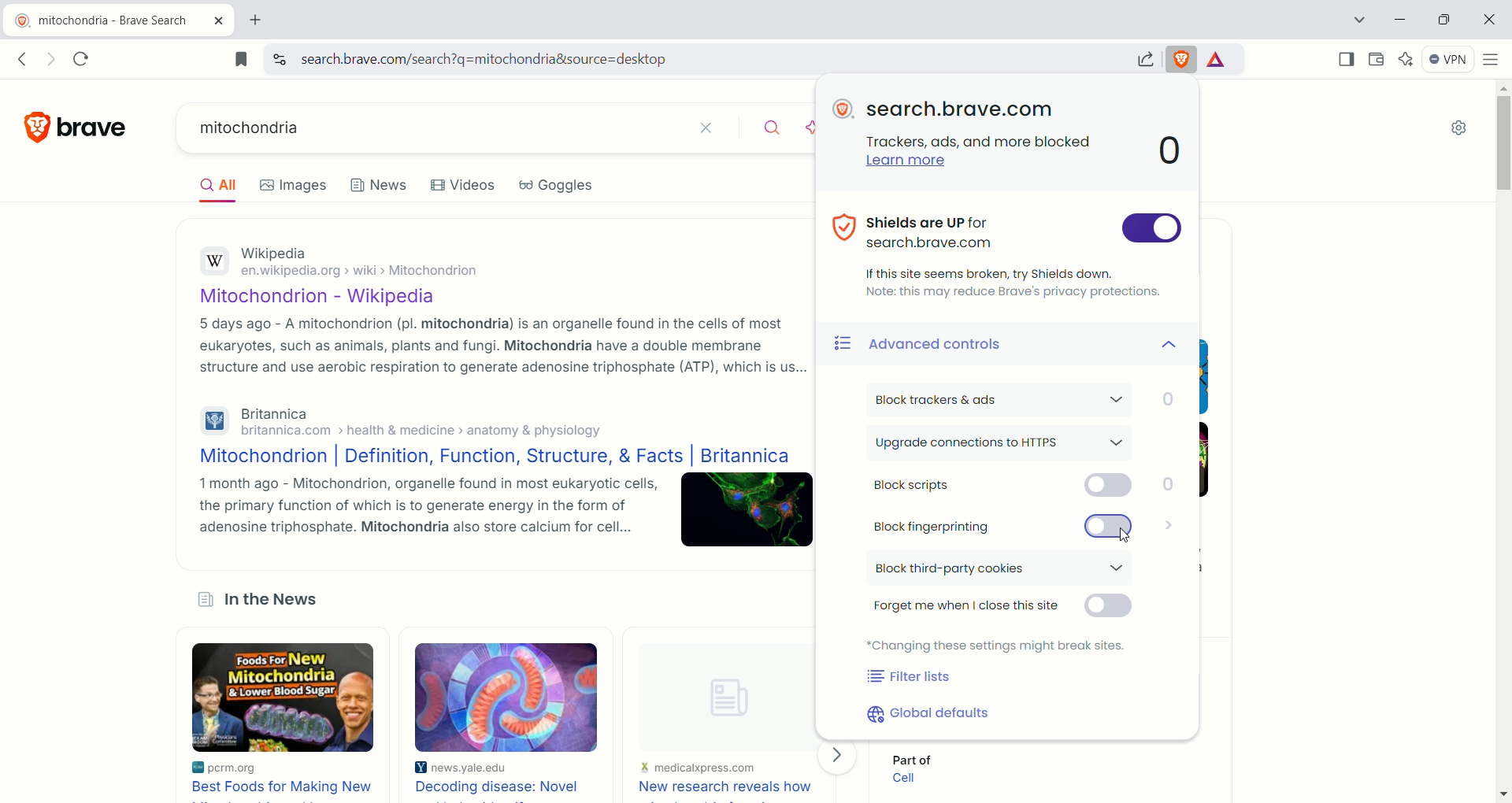  Describe the element at coordinates (381, 185) in the screenshot. I see `News` at that location.